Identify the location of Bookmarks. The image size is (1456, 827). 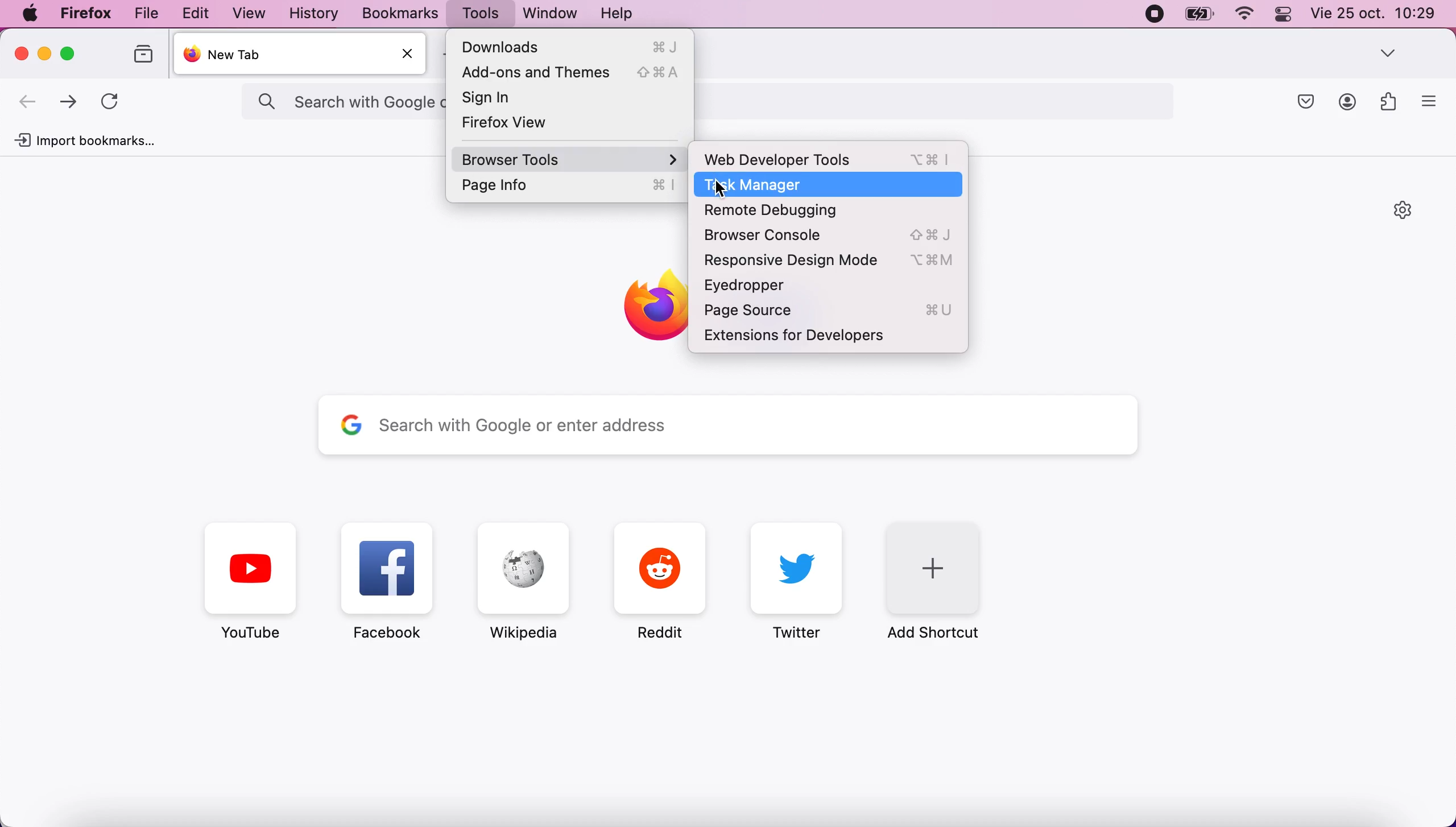
(400, 13).